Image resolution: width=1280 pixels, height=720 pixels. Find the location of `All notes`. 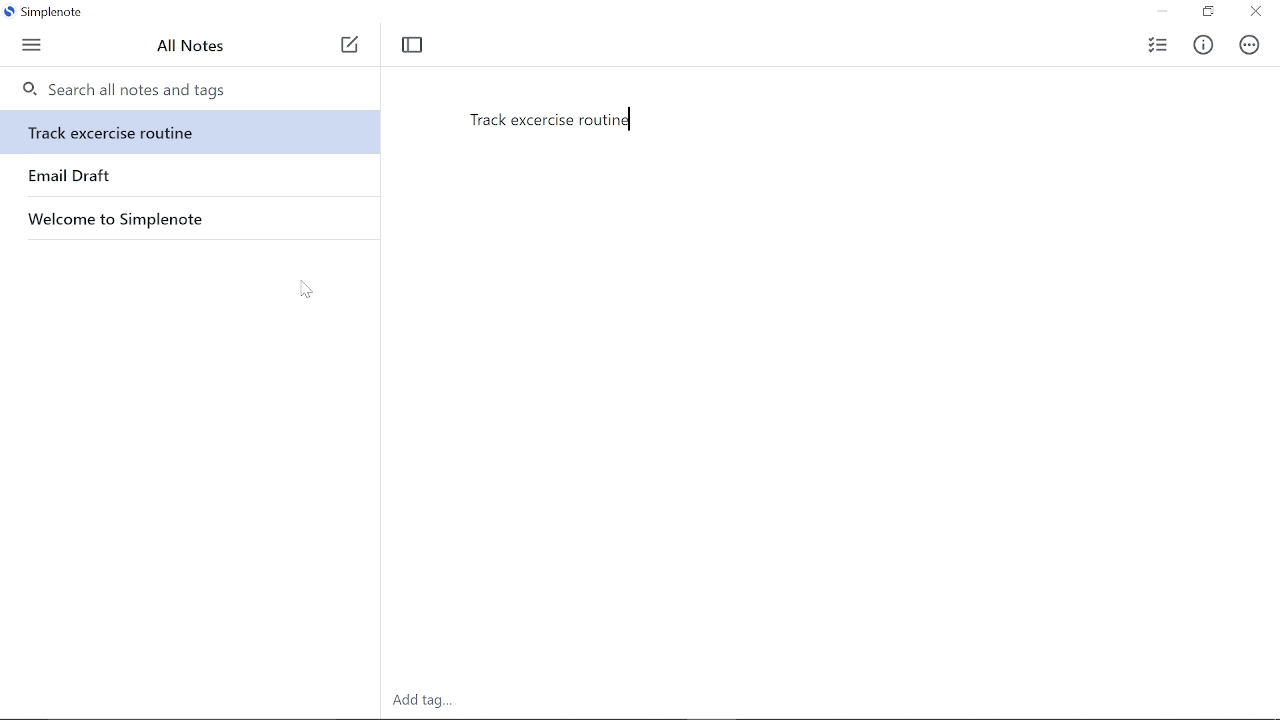

All notes is located at coordinates (194, 49).